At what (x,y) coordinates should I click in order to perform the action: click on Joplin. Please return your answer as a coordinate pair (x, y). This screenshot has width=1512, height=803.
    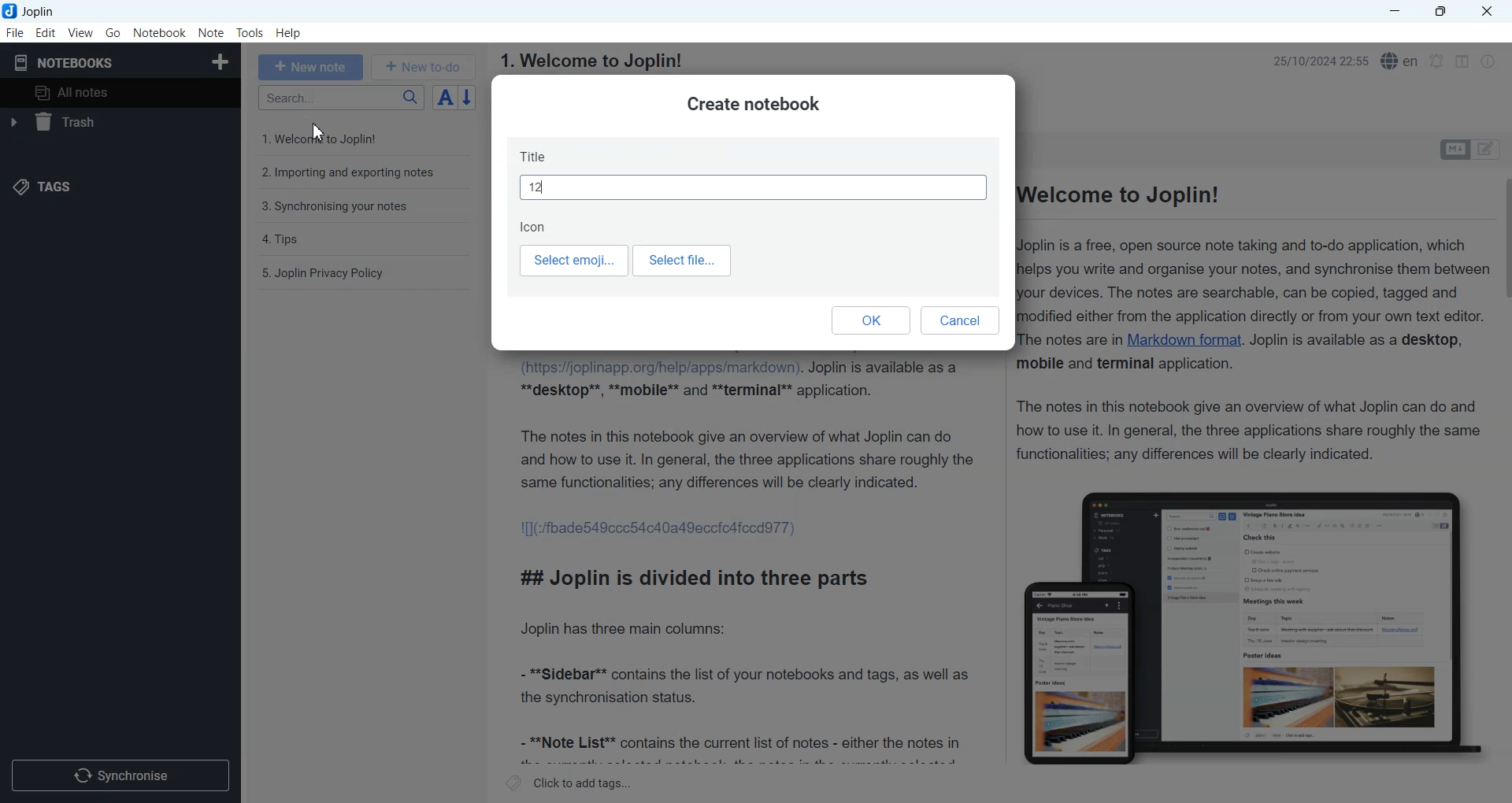
    Looking at the image, I should click on (34, 11).